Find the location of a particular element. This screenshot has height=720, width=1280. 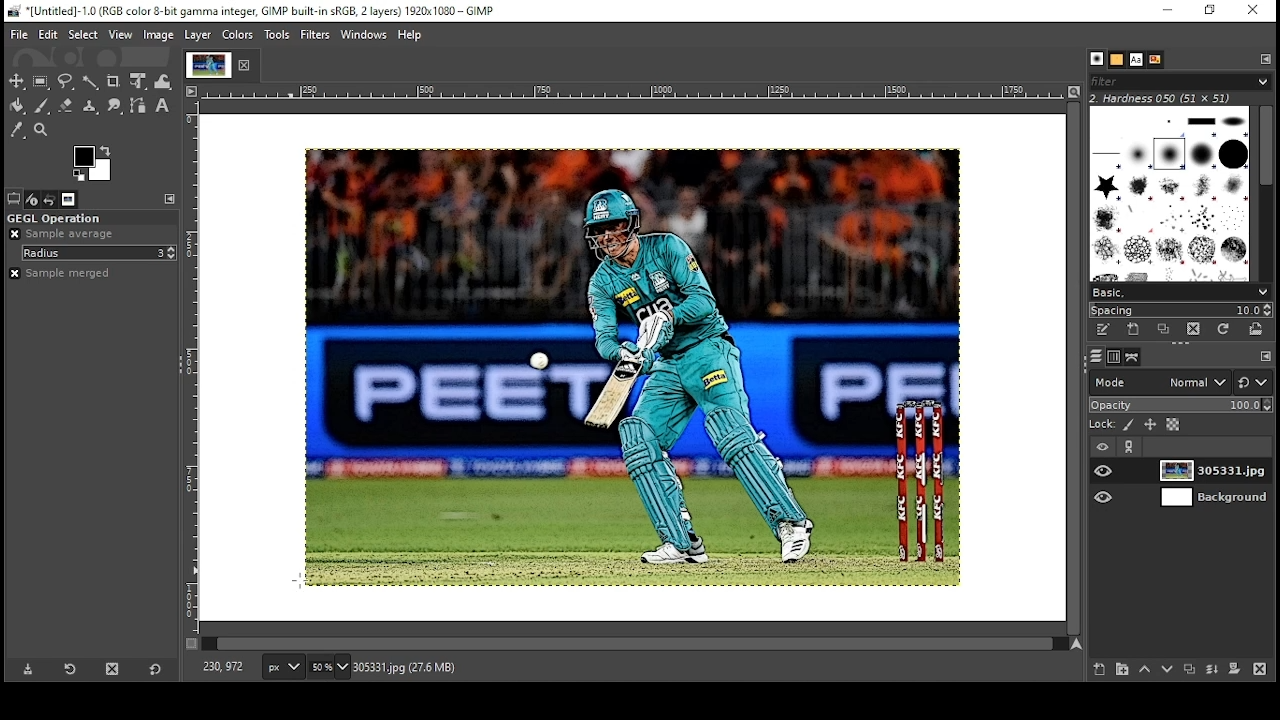

select brush collection is located at coordinates (1178, 292).